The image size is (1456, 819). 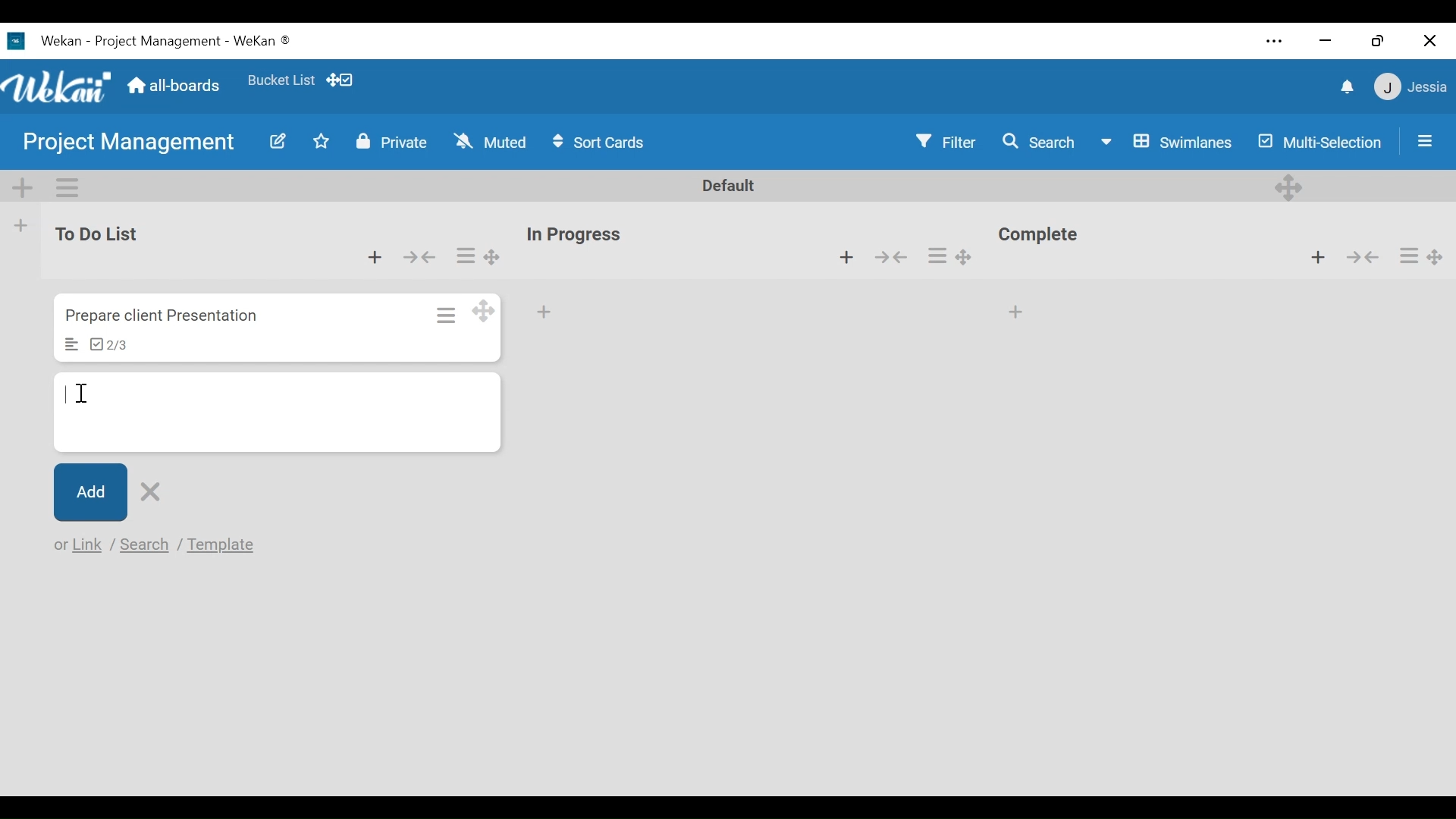 What do you see at coordinates (1018, 308) in the screenshot?
I see `Add card to bottom of the list` at bounding box center [1018, 308].